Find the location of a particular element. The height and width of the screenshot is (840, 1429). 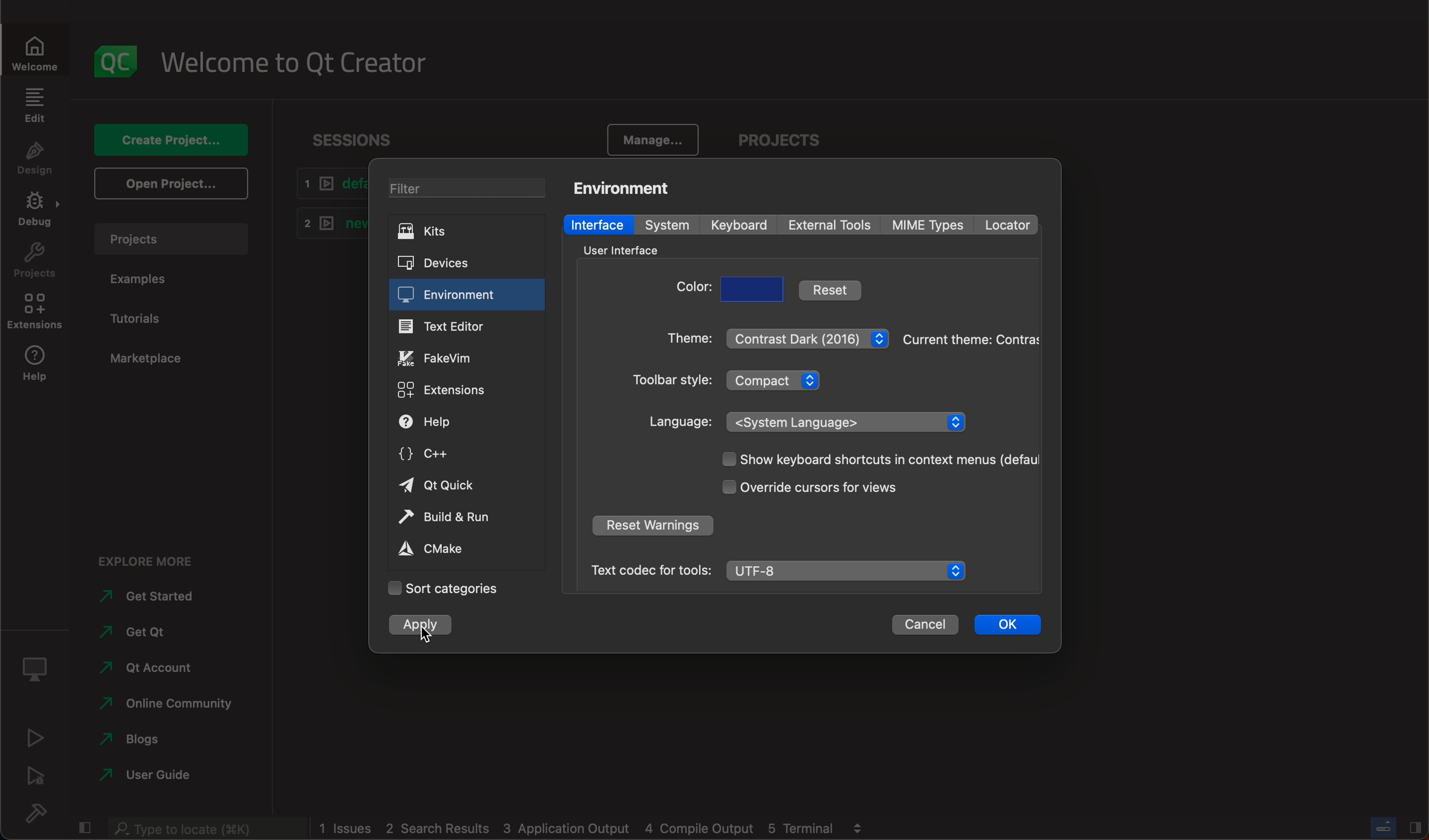

run is located at coordinates (37, 736).